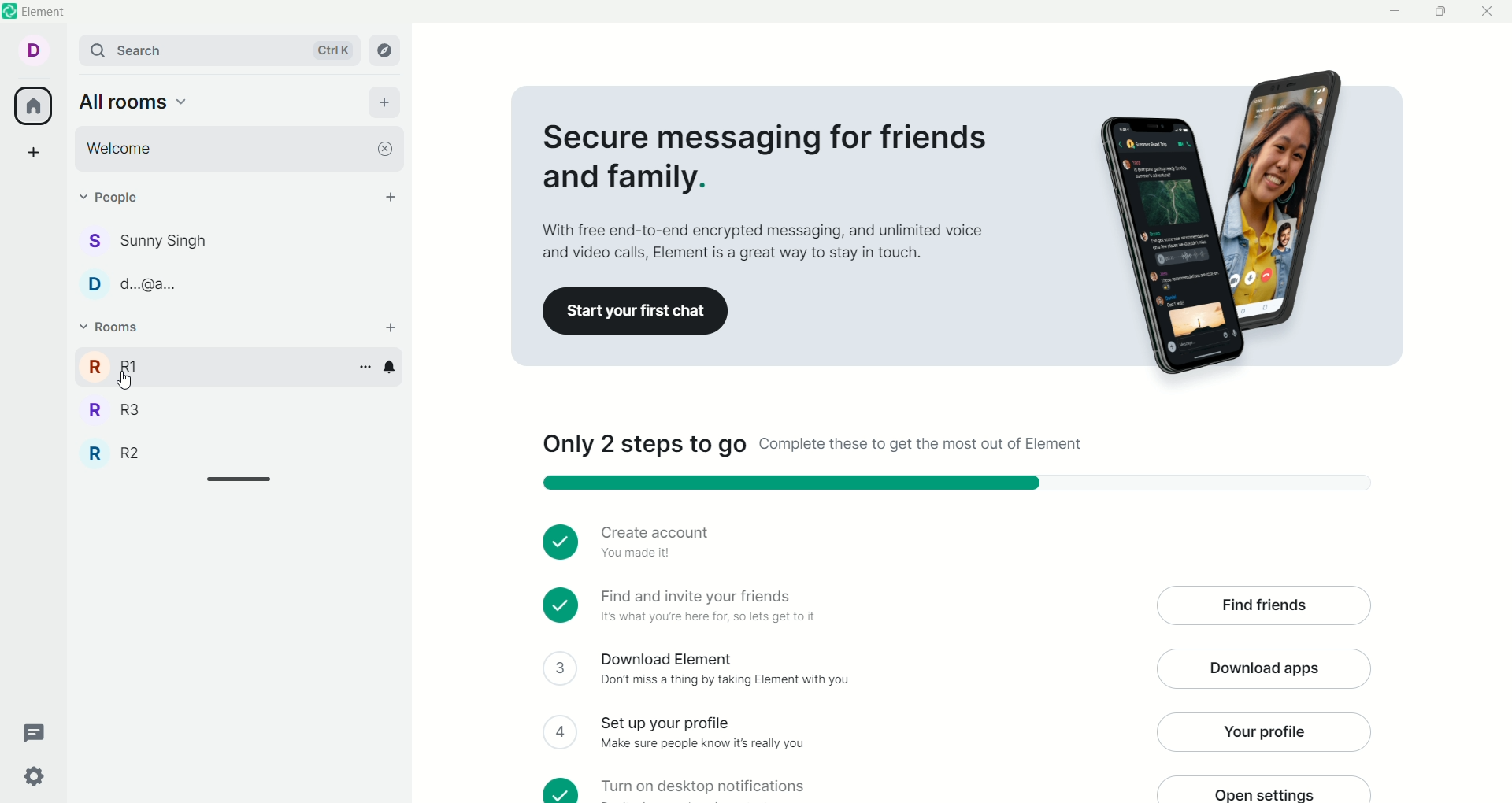  Describe the element at coordinates (113, 453) in the screenshot. I see `R2 room` at that location.